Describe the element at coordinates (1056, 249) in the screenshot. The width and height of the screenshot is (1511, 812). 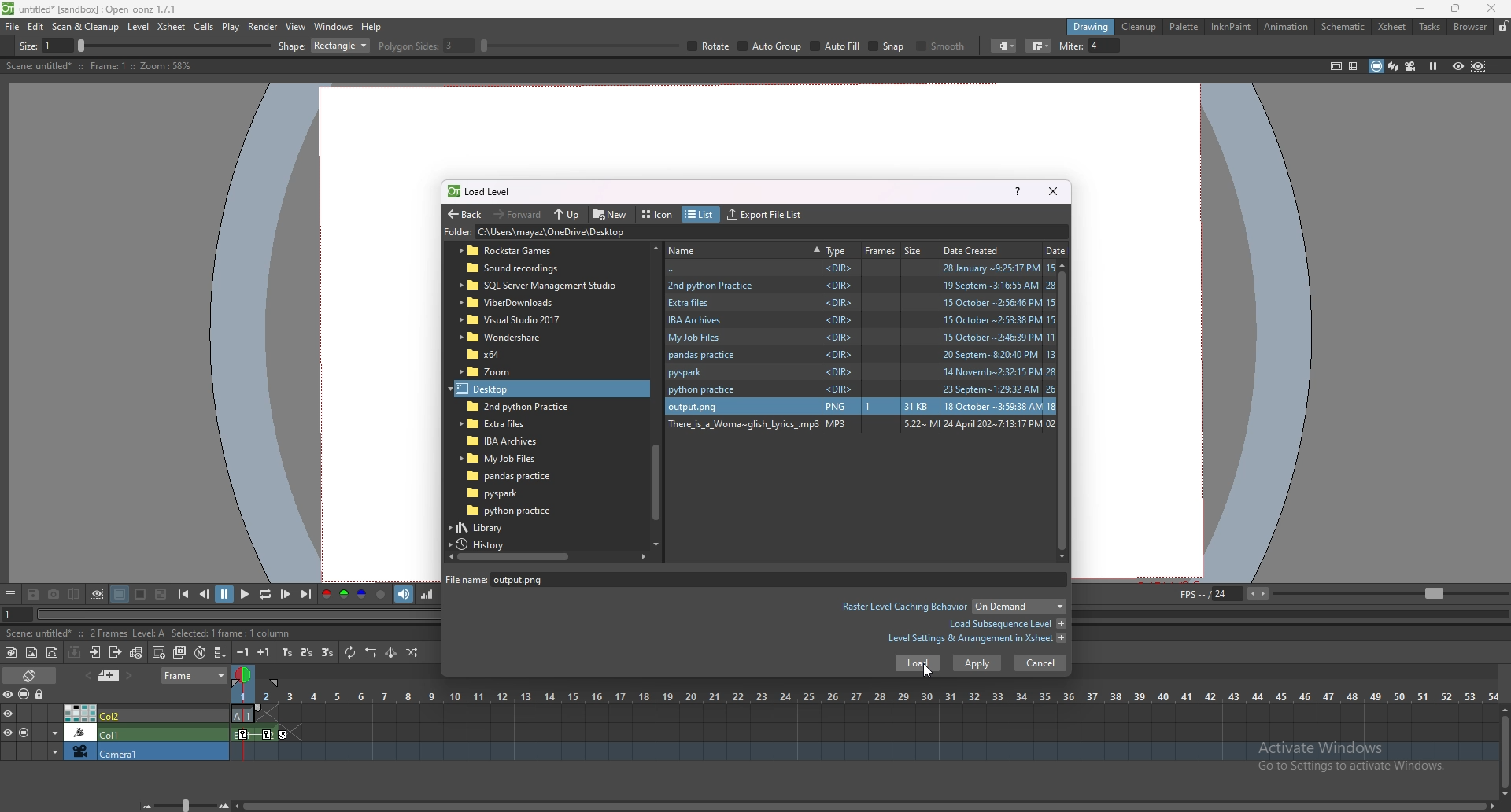
I see `date` at that location.